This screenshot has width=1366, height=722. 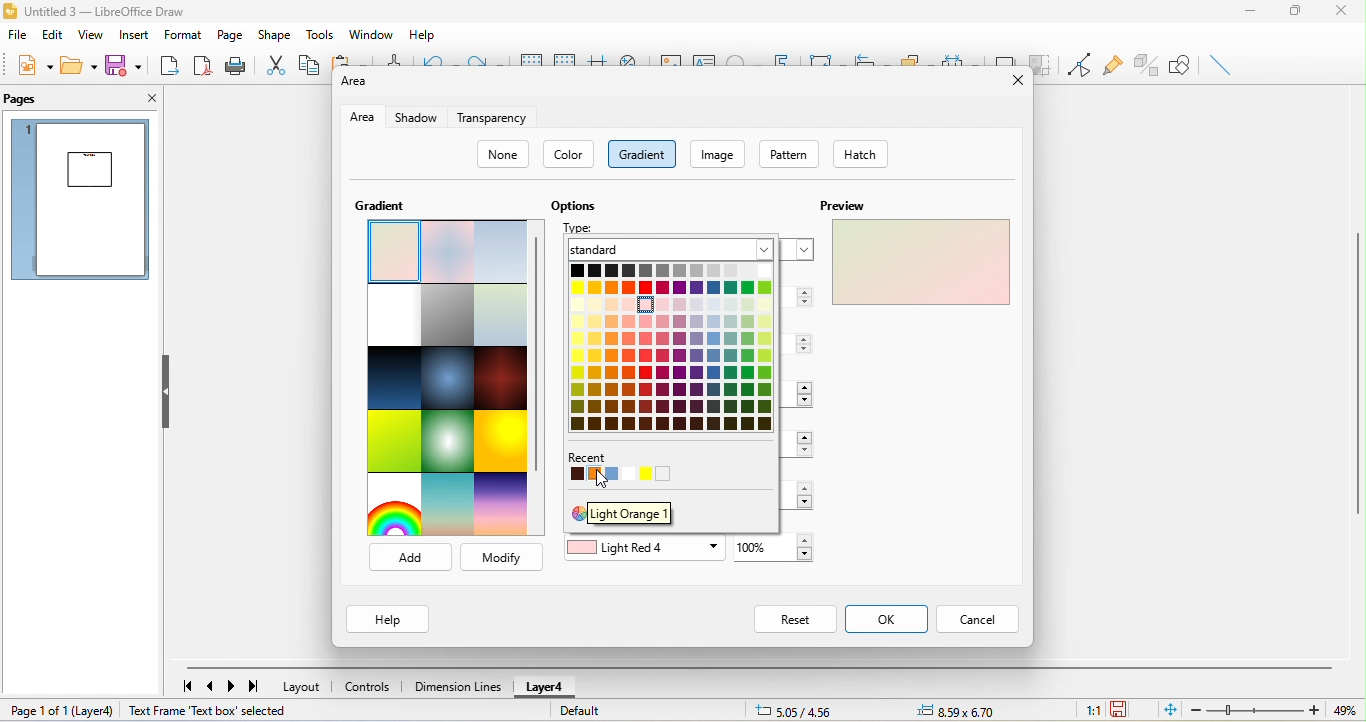 I want to click on rainbow, so click(x=393, y=505).